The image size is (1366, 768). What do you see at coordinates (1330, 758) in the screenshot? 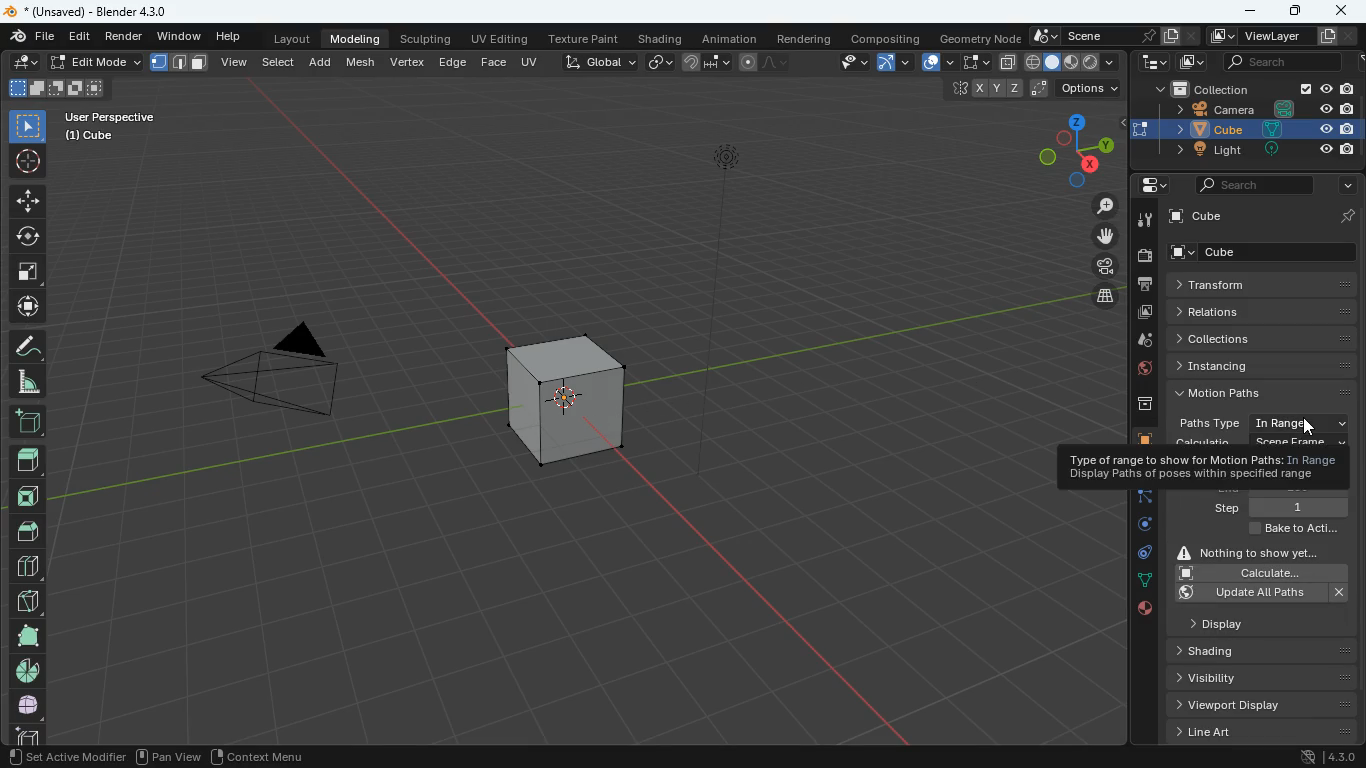
I see `version` at bounding box center [1330, 758].